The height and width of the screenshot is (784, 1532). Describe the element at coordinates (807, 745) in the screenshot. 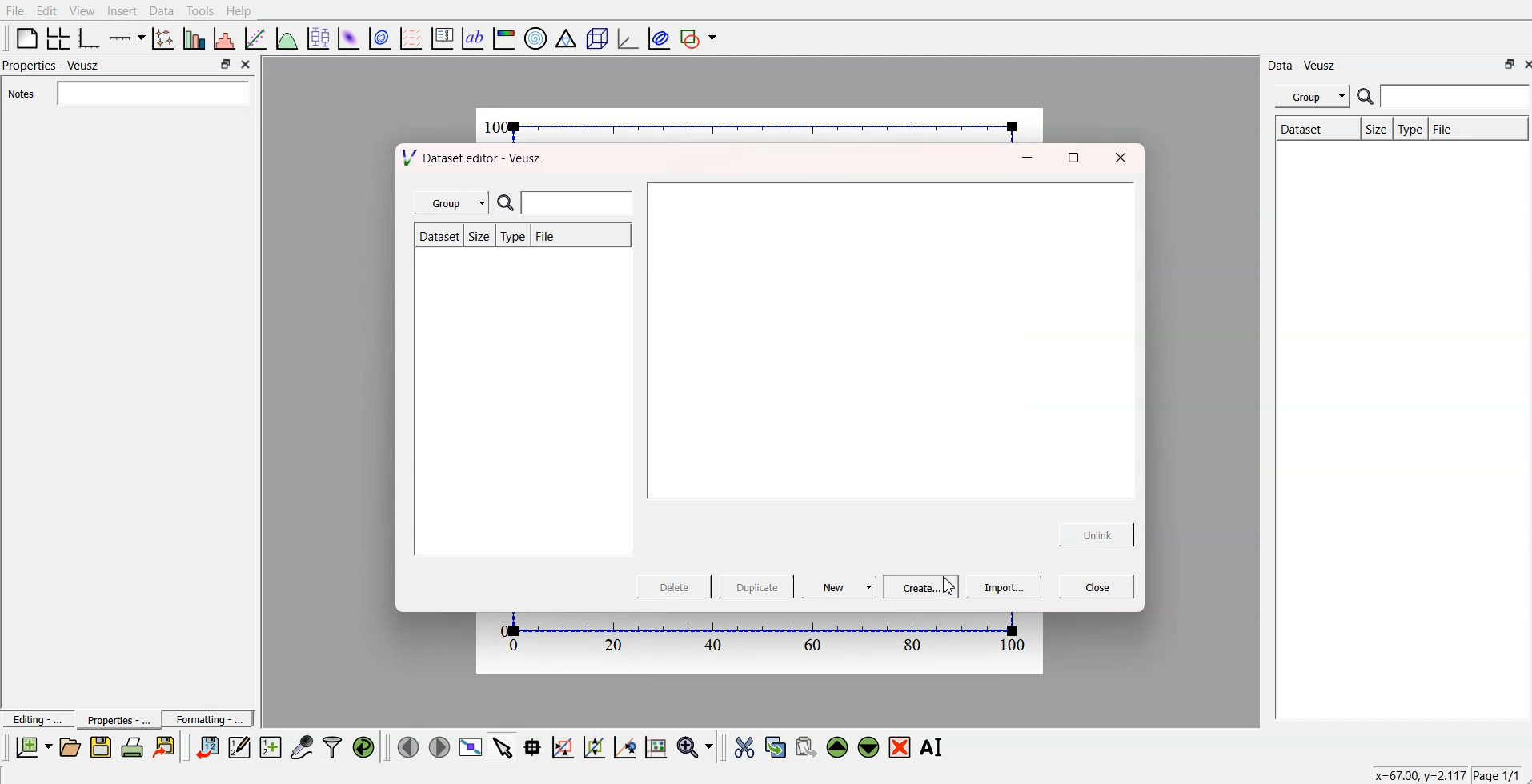

I see `paste` at that location.